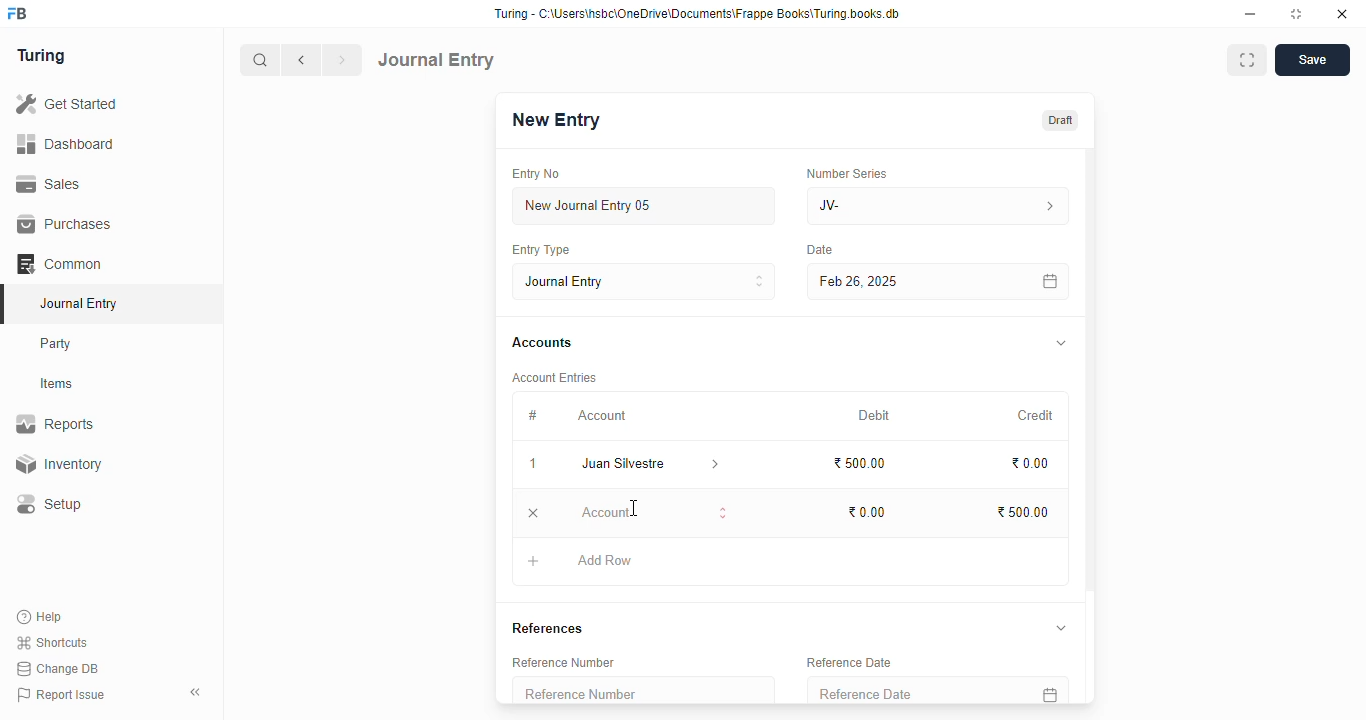 The height and width of the screenshot is (720, 1366). I want to click on close, so click(1342, 14).